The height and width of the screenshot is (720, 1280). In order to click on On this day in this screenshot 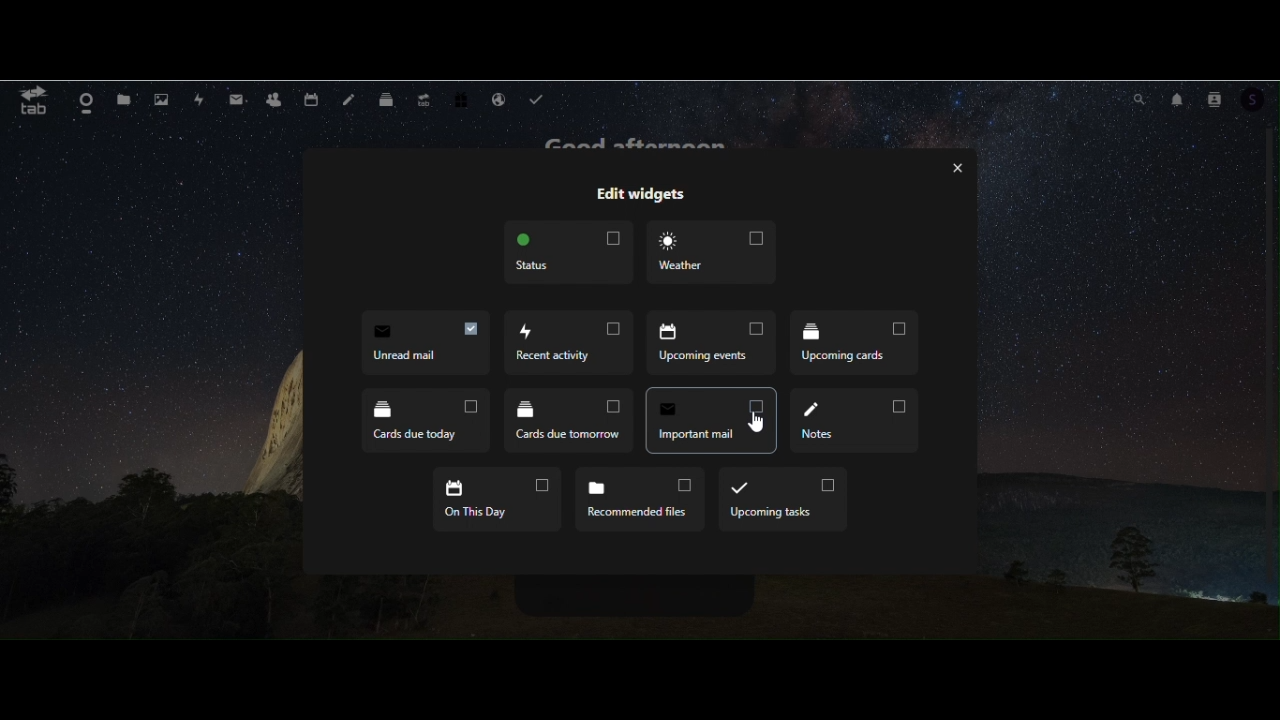, I will do `click(499, 503)`.